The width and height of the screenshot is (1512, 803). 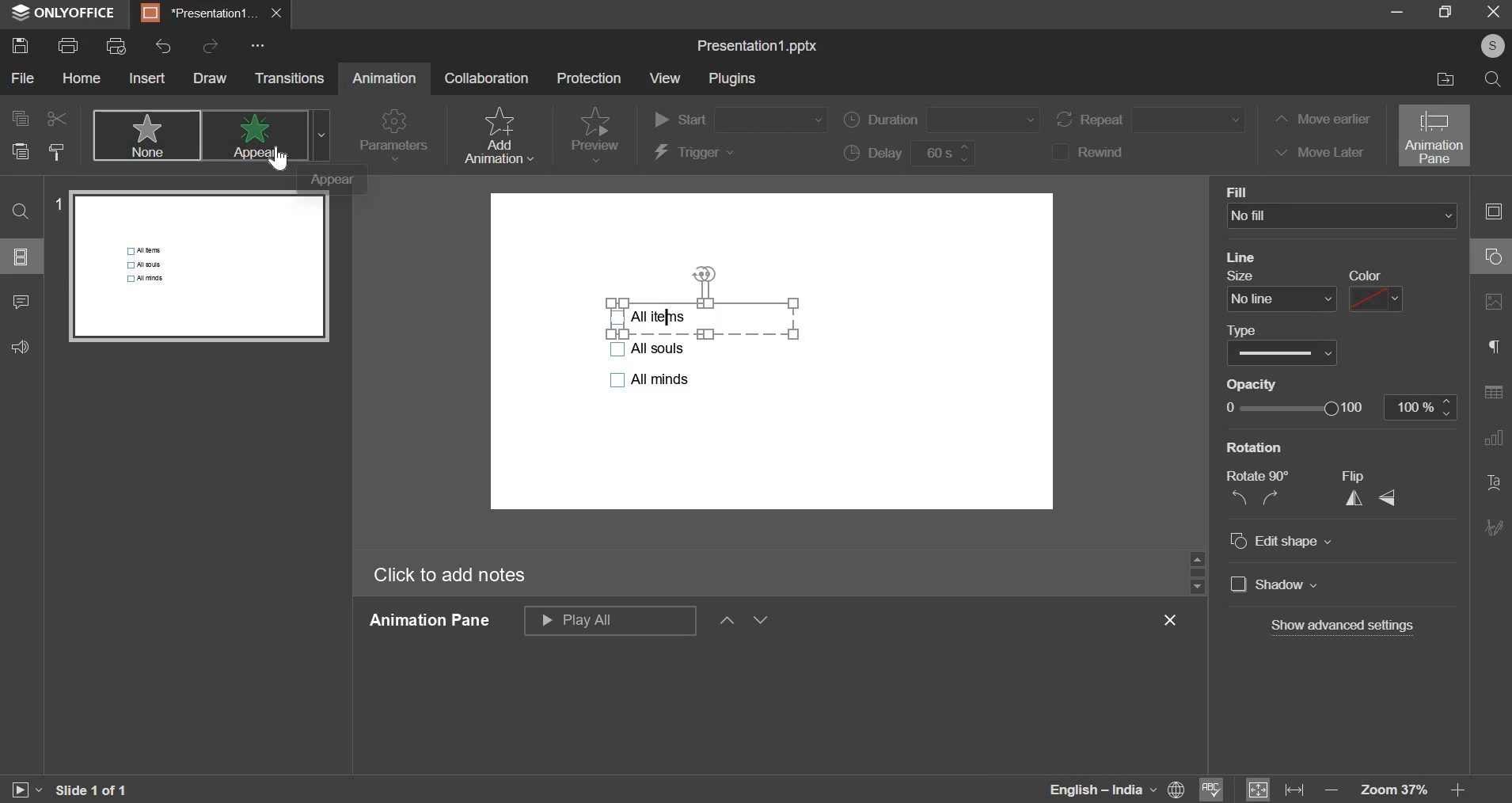 I want to click on slide preview, so click(x=198, y=264).